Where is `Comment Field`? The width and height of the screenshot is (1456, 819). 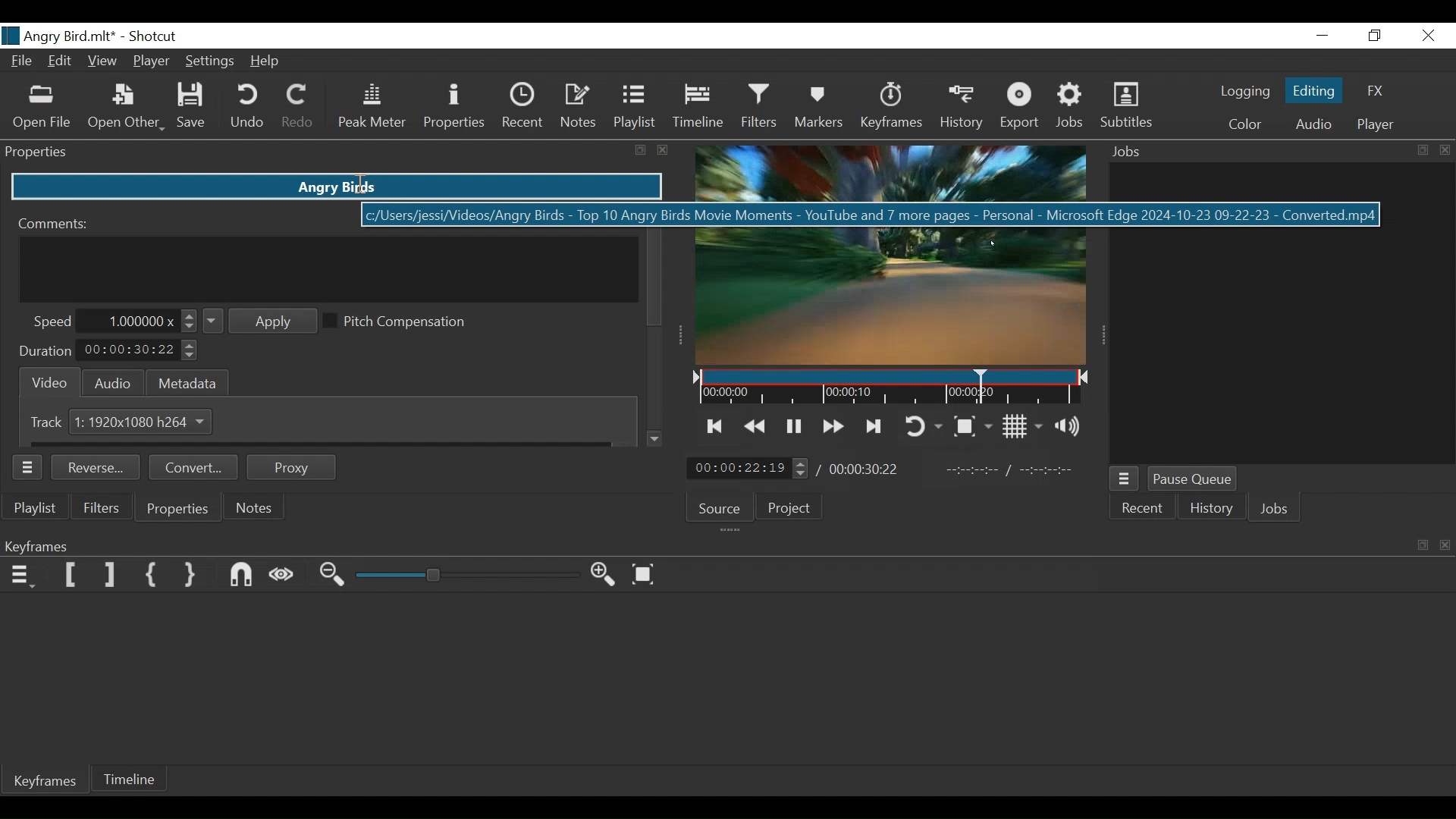
Comment Field is located at coordinates (330, 269).